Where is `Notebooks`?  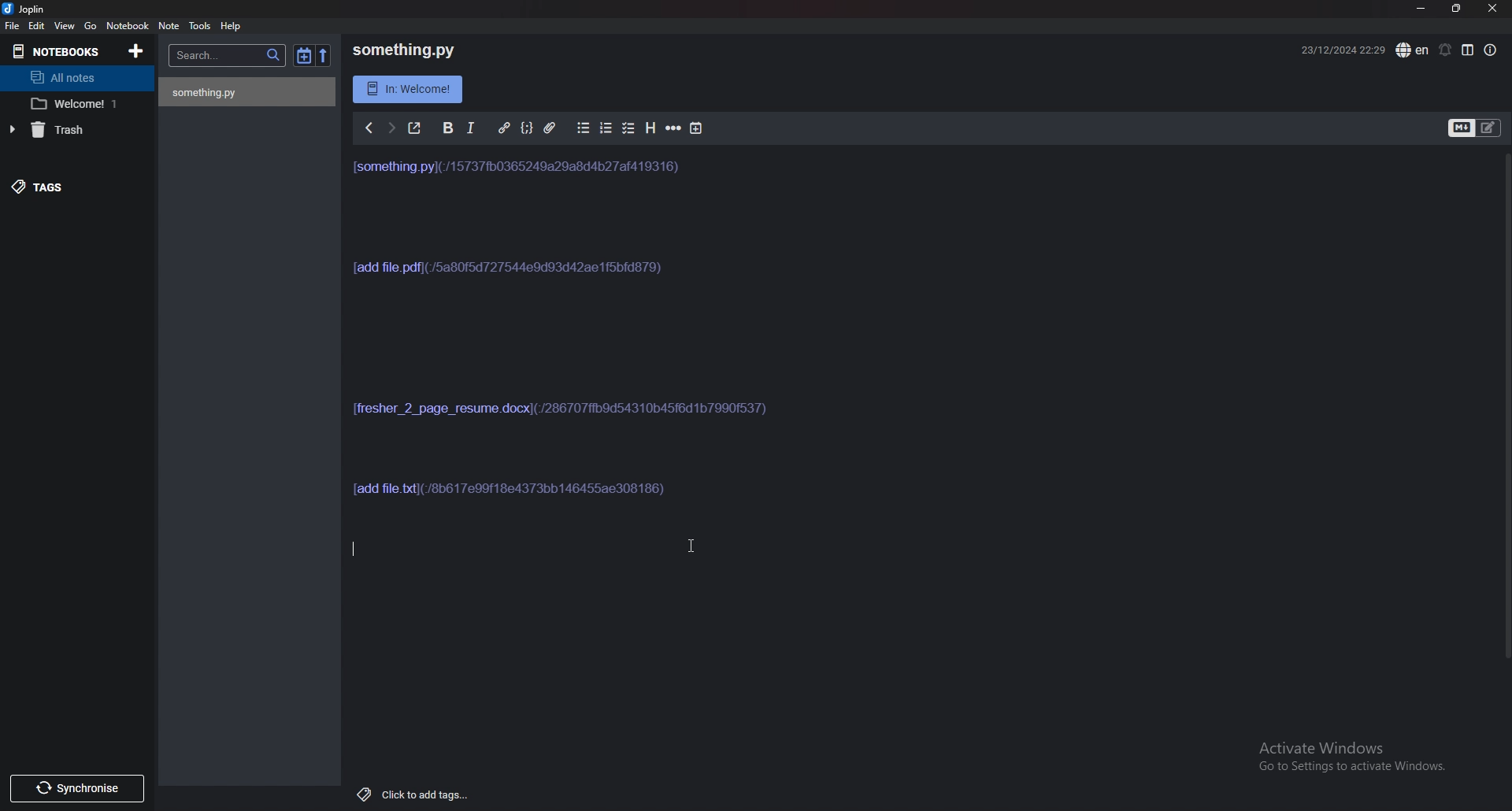 Notebooks is located at coordinates (54, 53).